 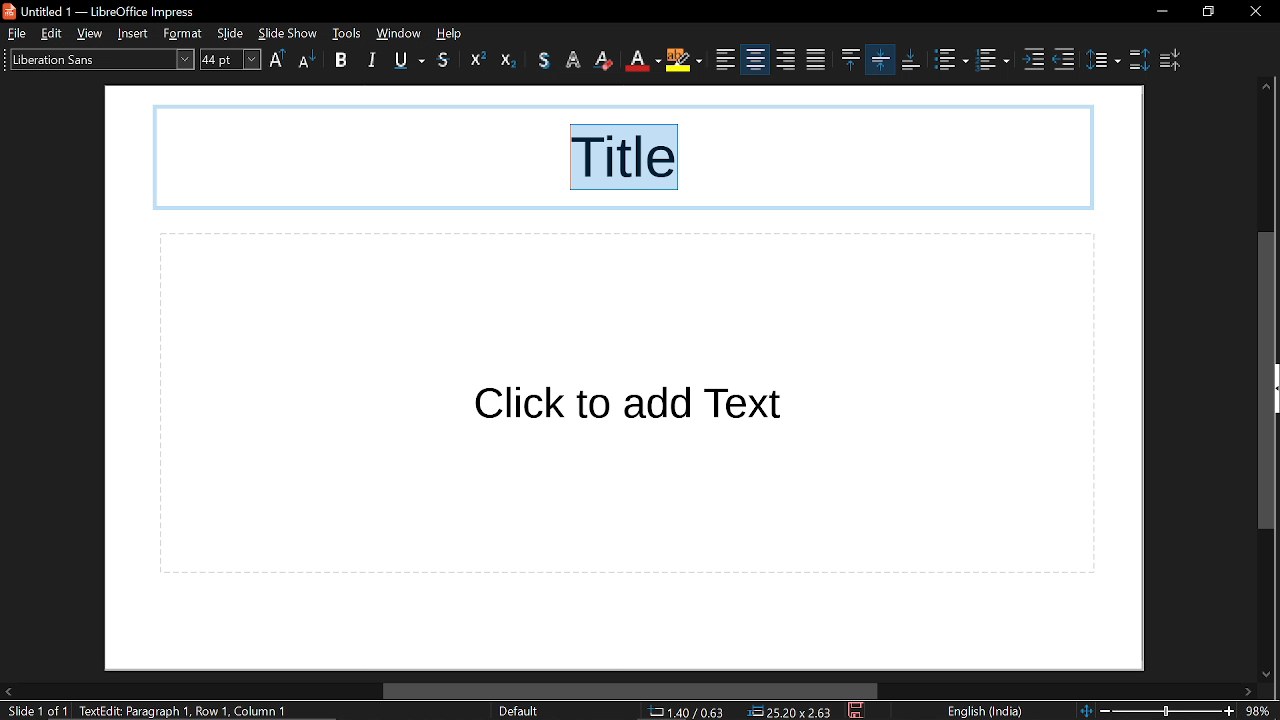 I want to click on decrease indent, so click(x=1064, y=60).